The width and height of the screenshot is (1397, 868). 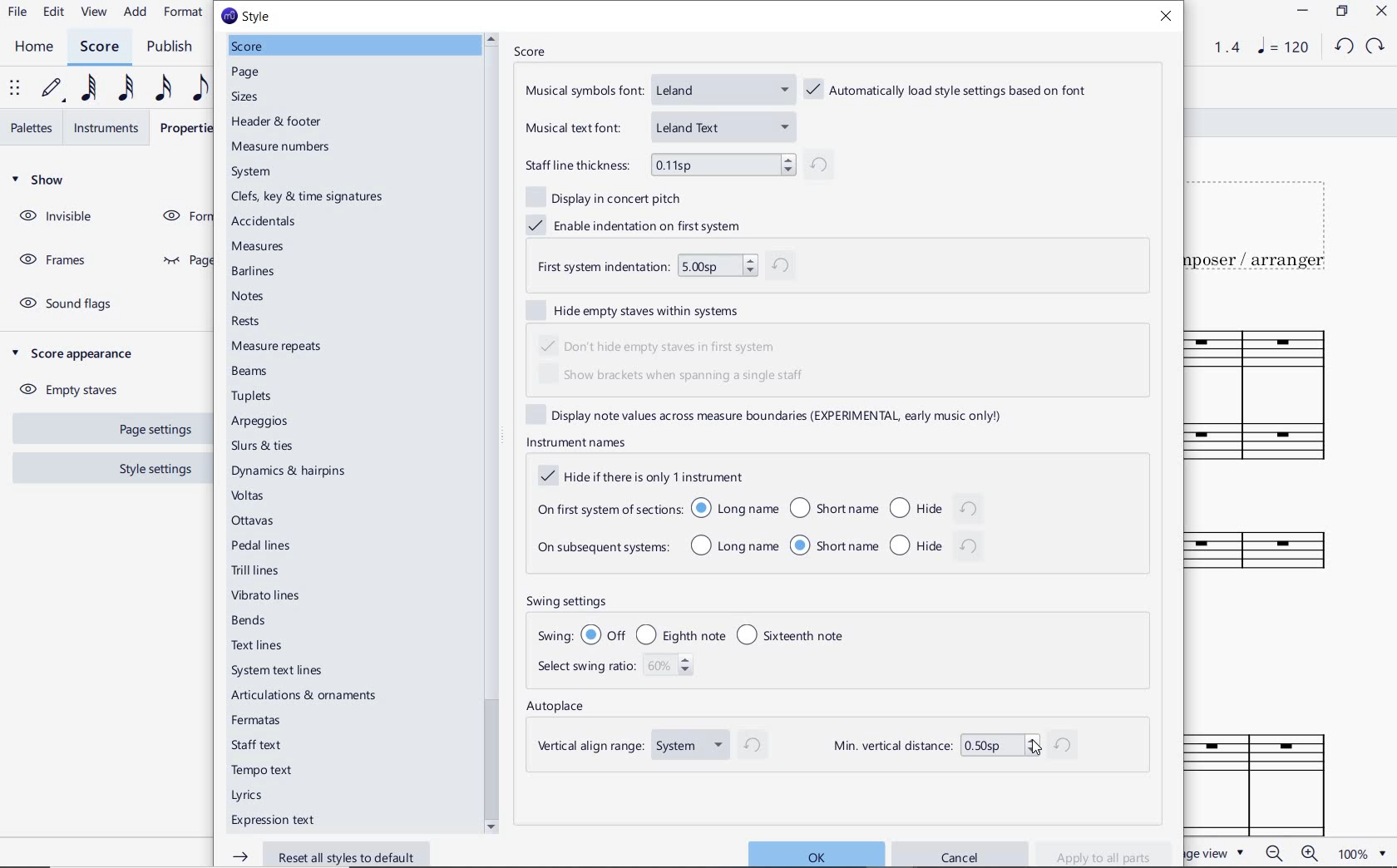 I want to click on long name, so click(x=734, y=546).